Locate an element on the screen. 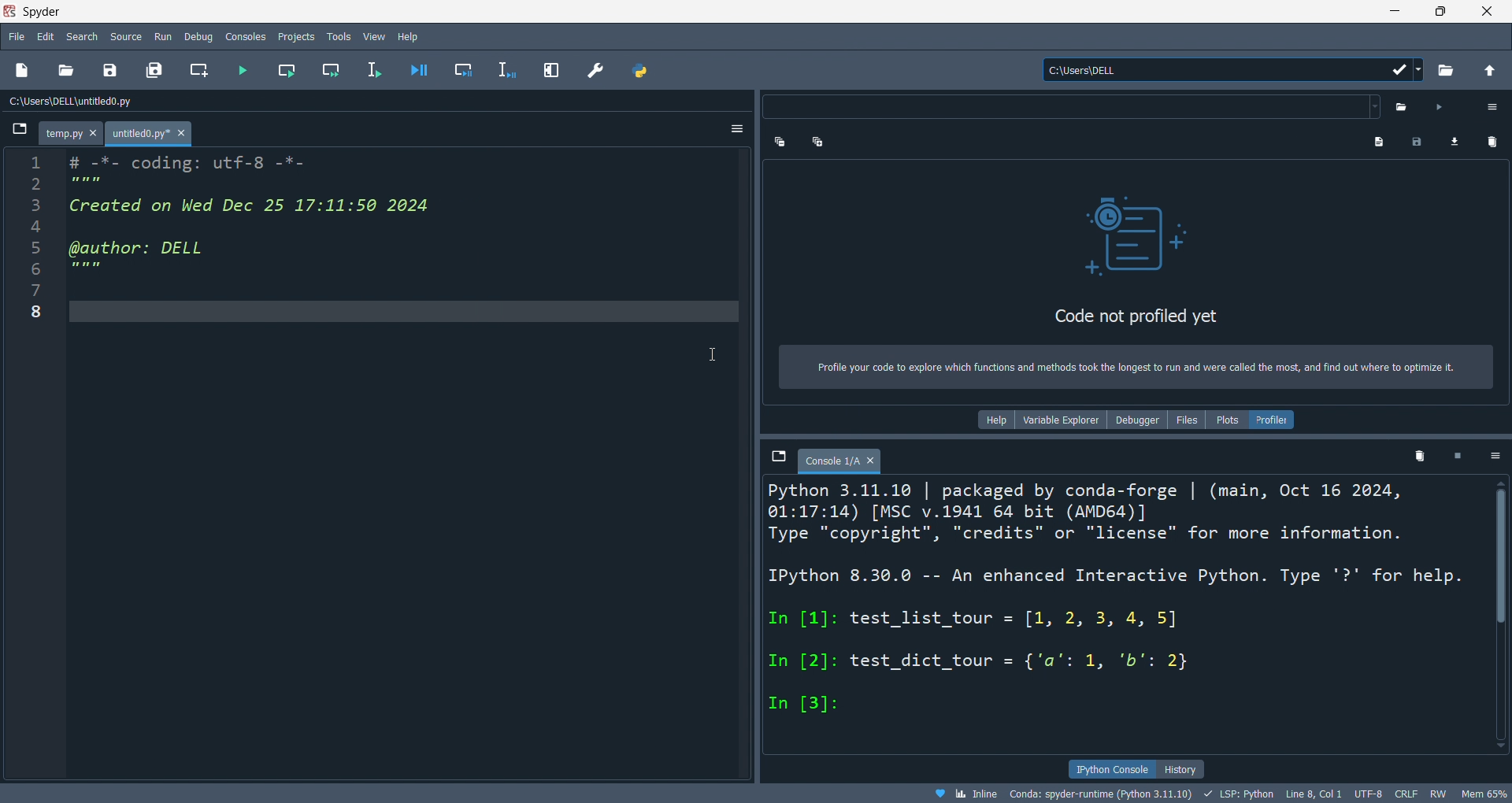  python path manager is located at coordinates (640, 71).